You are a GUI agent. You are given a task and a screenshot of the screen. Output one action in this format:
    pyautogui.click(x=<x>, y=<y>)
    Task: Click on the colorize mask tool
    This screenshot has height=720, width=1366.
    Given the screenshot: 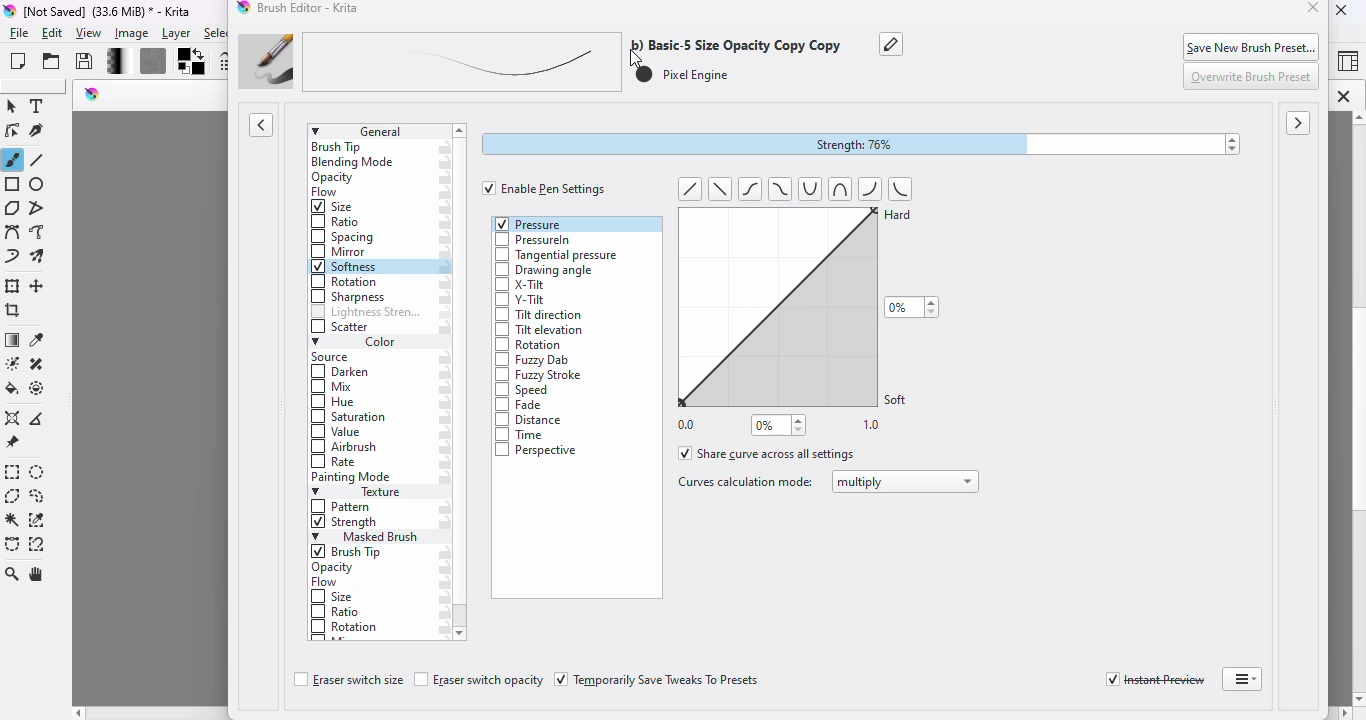 What is the action you would take?
    pyautogui.click(x=11, y=363)
    